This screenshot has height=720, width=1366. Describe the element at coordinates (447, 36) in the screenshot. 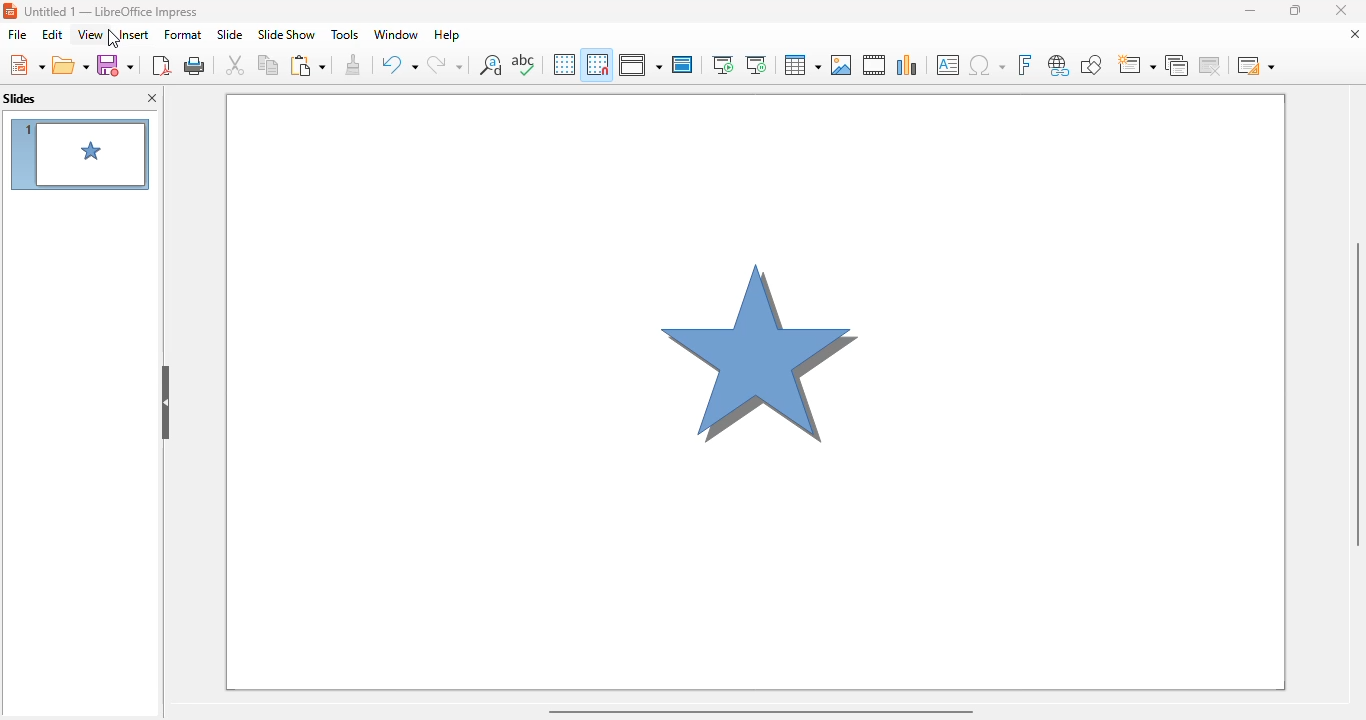

I see `help` at that location.